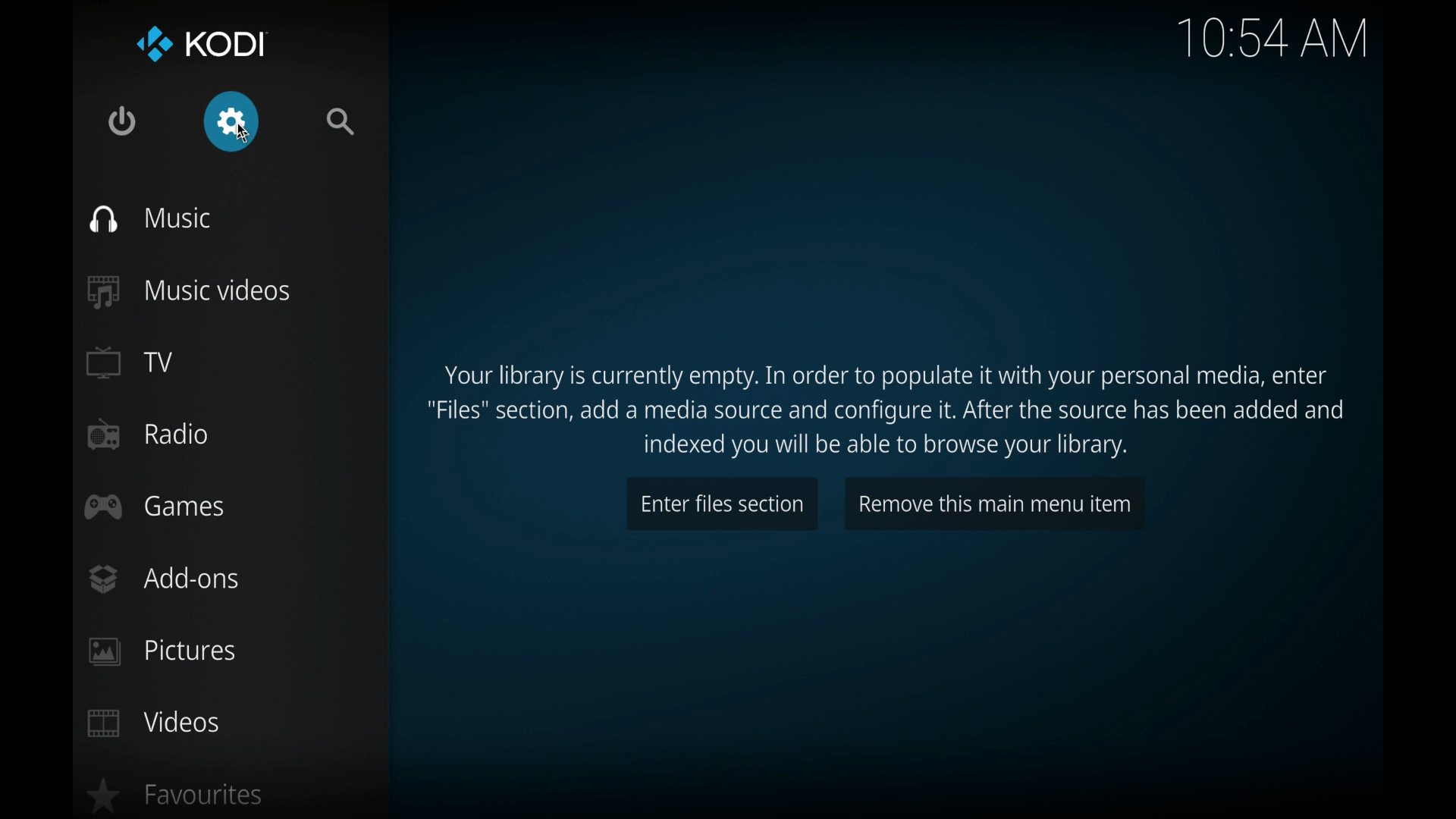 Image resolution: width=1456 pixels, height=819 pixels. I want to click on cursor, so click(243, 134).